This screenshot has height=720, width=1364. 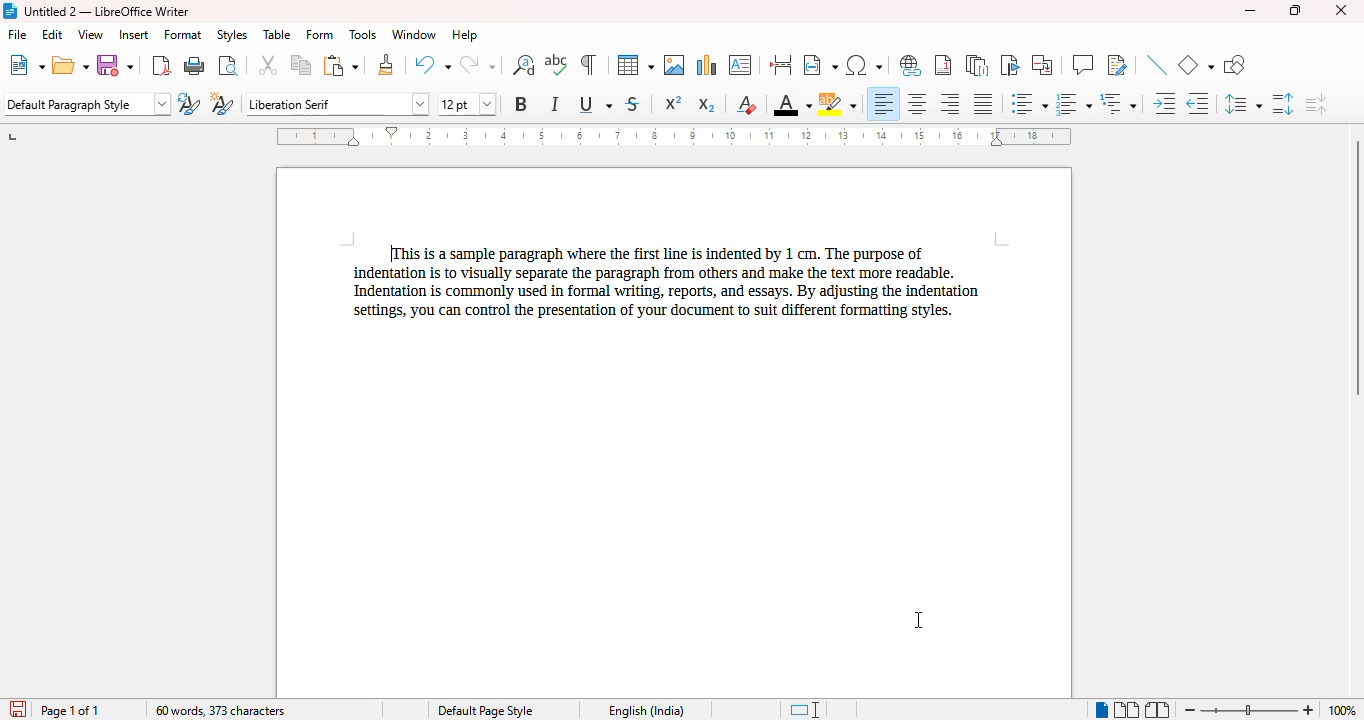 What do you see at coordinates (385, 65) in the screenshot?
I see `clone formatting` at bounding box center [385, 65].